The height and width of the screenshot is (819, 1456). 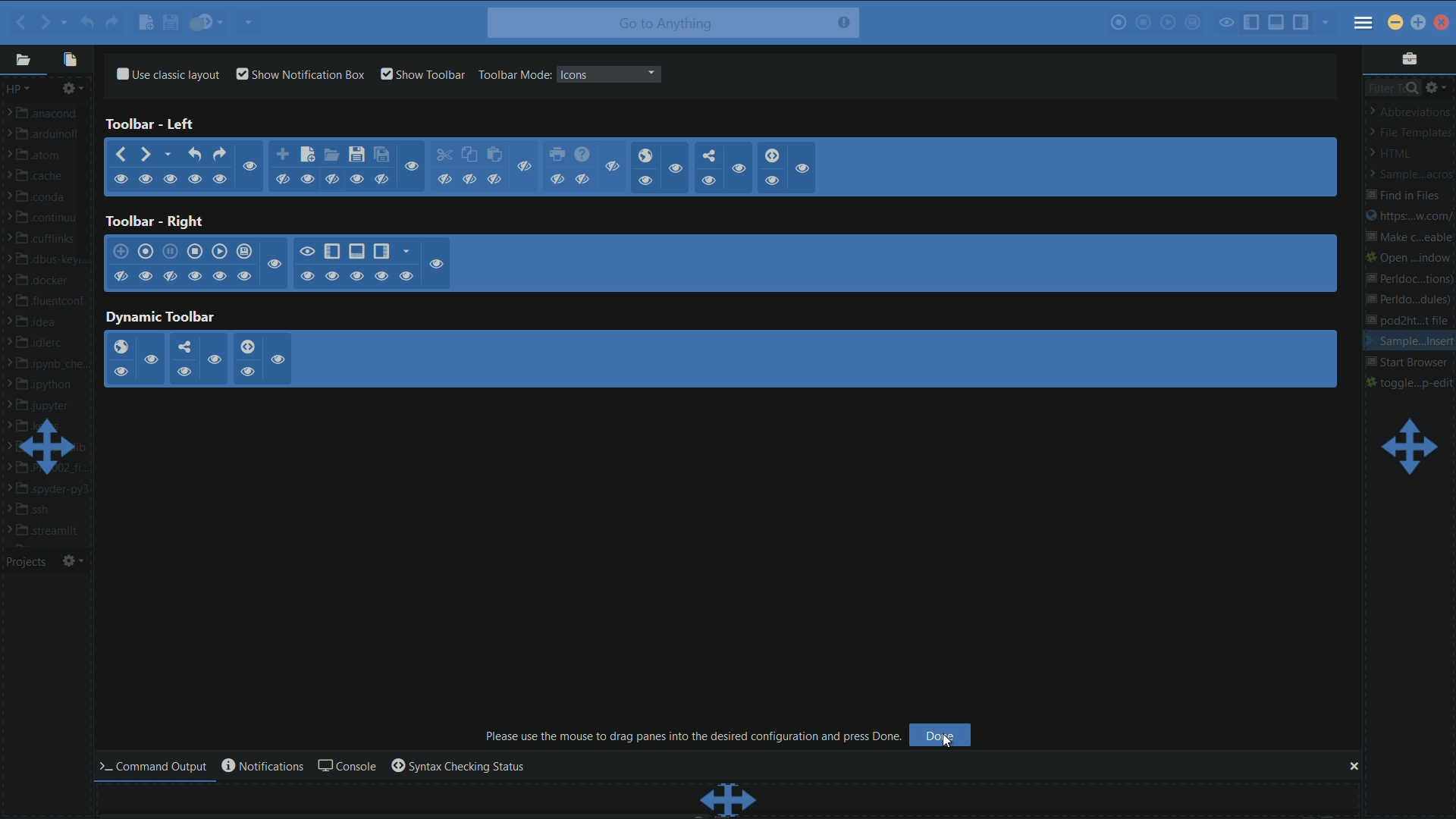 What do you see at coordinates (49, 447) in the screenshot?
I see `change layout` at bounding box center [49, 447].